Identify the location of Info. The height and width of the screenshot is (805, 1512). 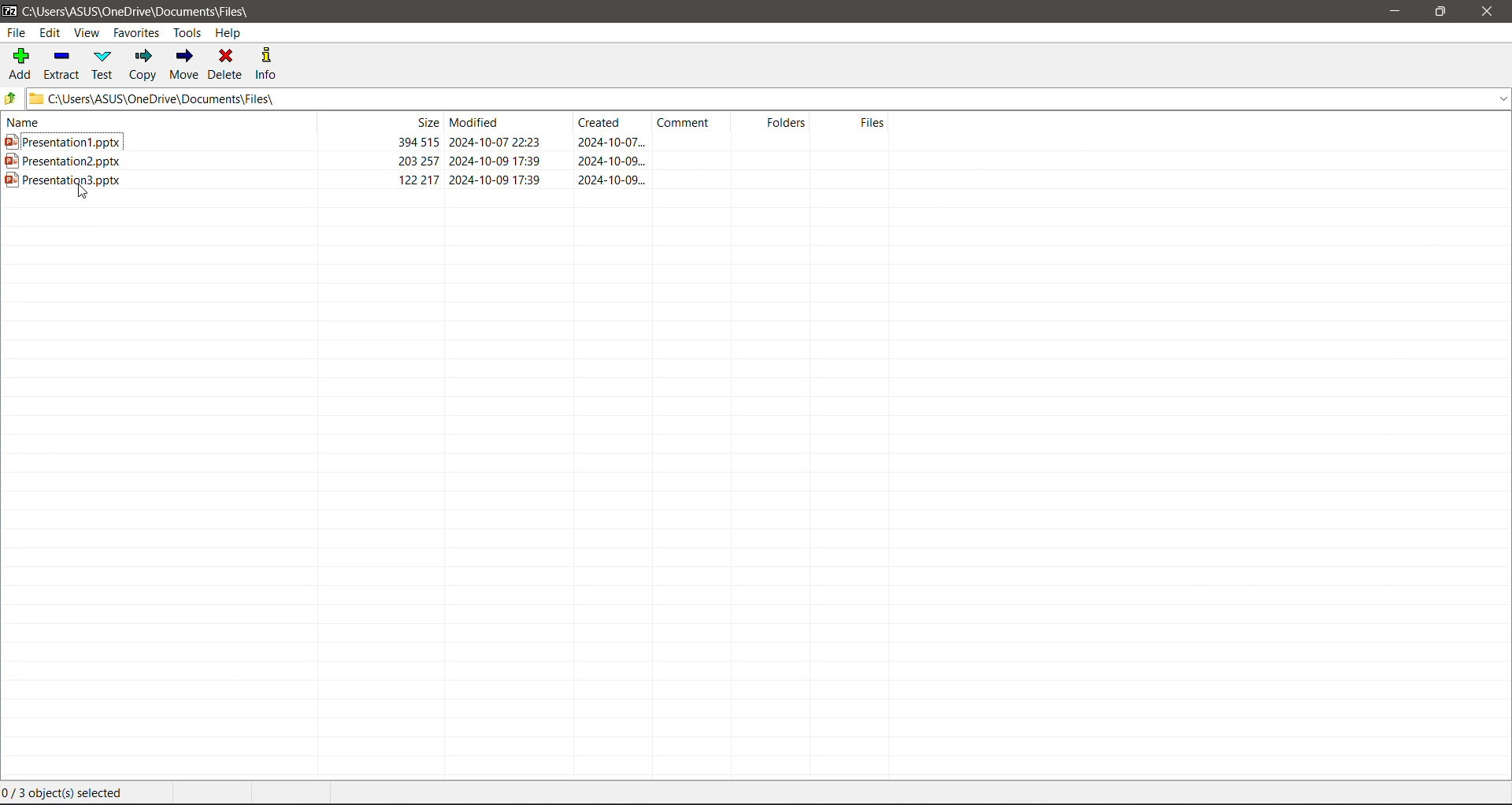
(268, 65).